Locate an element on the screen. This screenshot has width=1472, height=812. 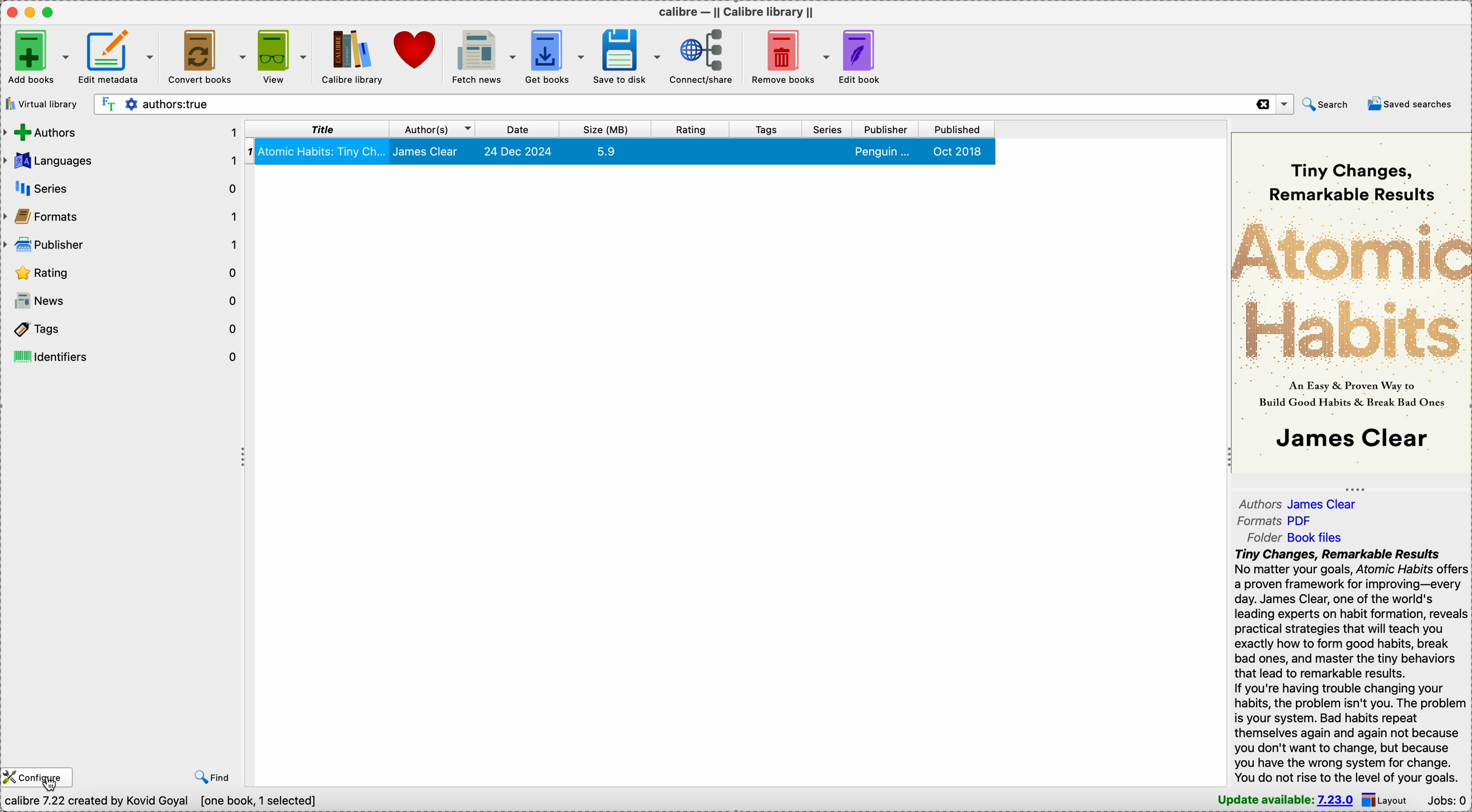
tags is located at coordinates (122, 327).